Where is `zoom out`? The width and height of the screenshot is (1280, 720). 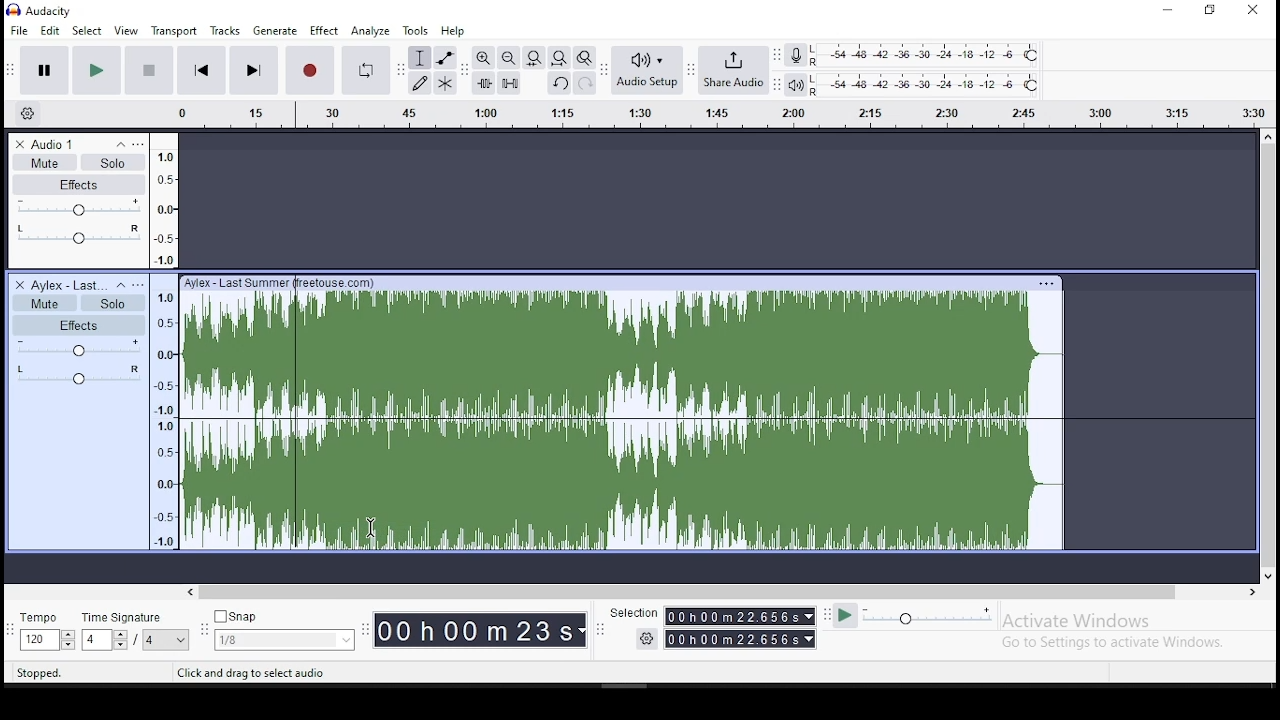 zoom out is located at coordinates (508, 57).